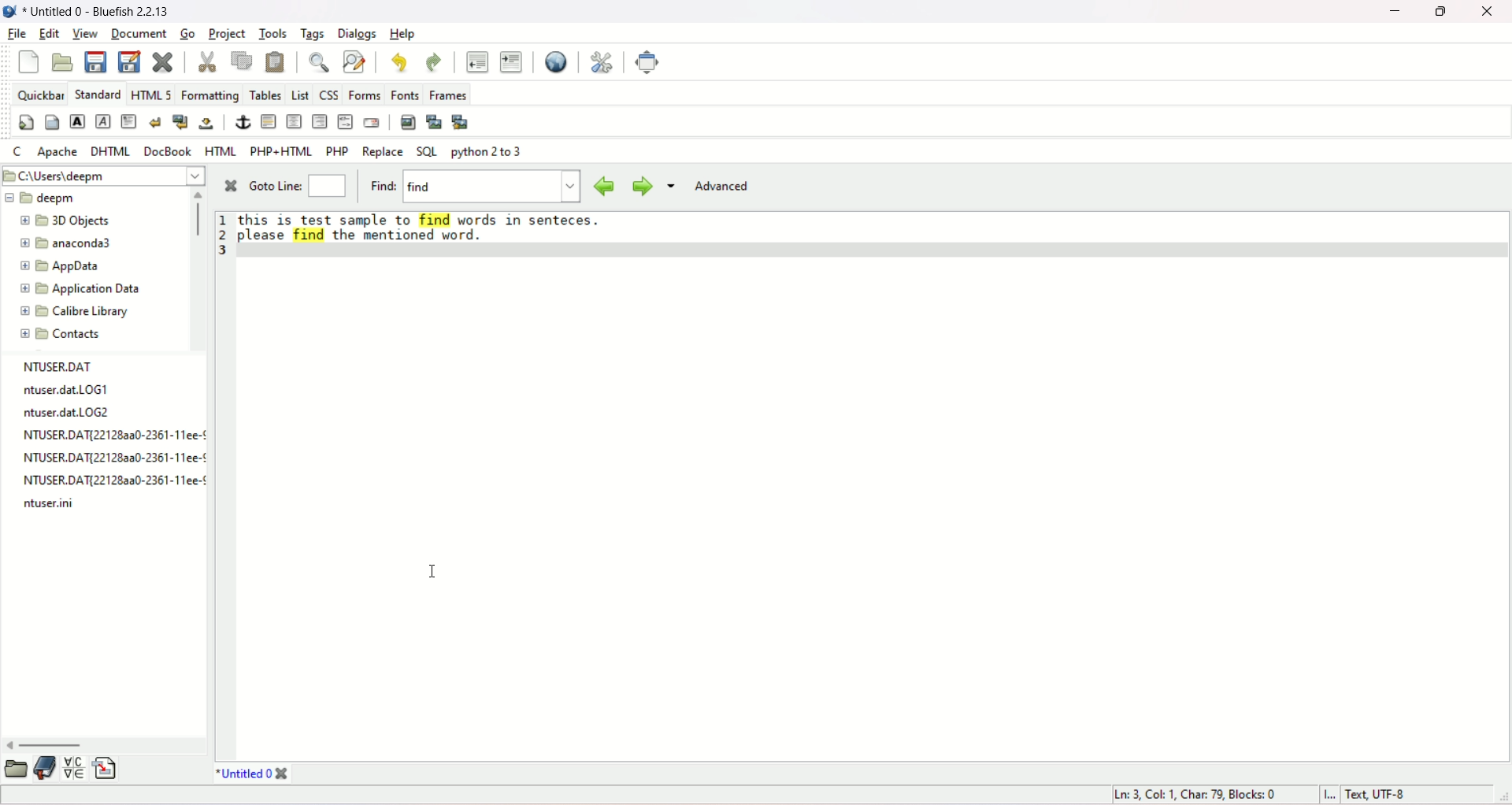  What do you see at coordinates (328, 95) in the screenshot?
I see `CSS` at bounding box center [328, 95].